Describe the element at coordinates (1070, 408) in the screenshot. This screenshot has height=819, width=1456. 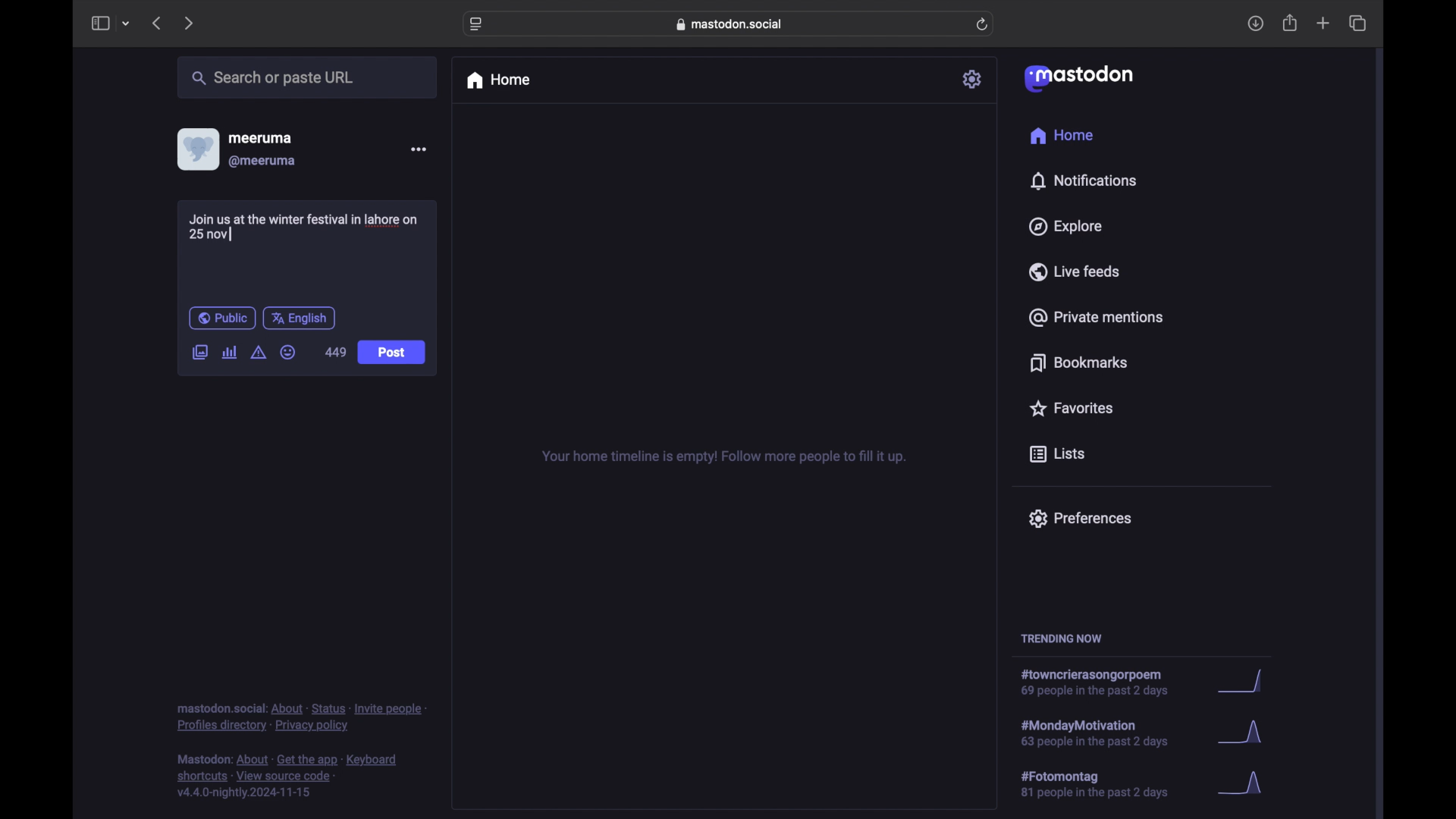
I see `favorites` at that location.